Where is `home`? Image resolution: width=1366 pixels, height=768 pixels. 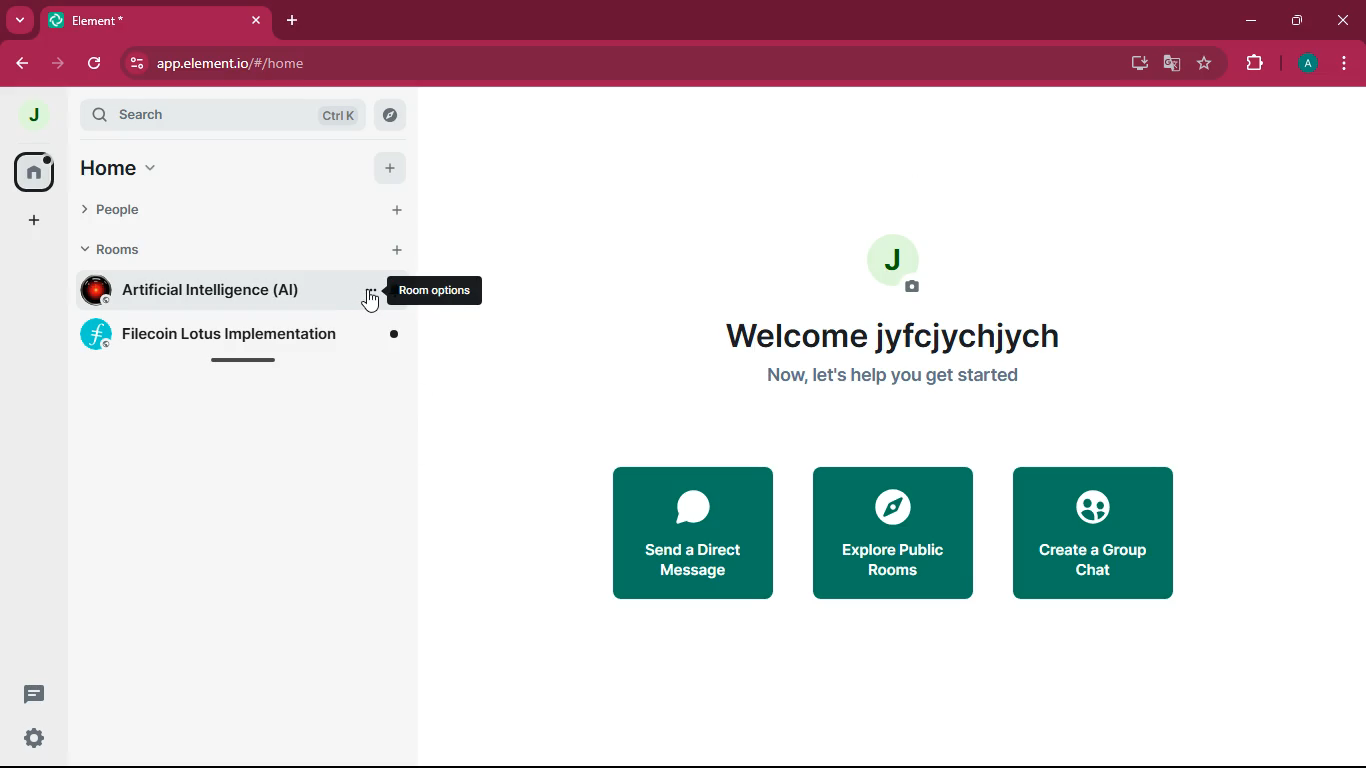
home is located at coordinates (38, 173).